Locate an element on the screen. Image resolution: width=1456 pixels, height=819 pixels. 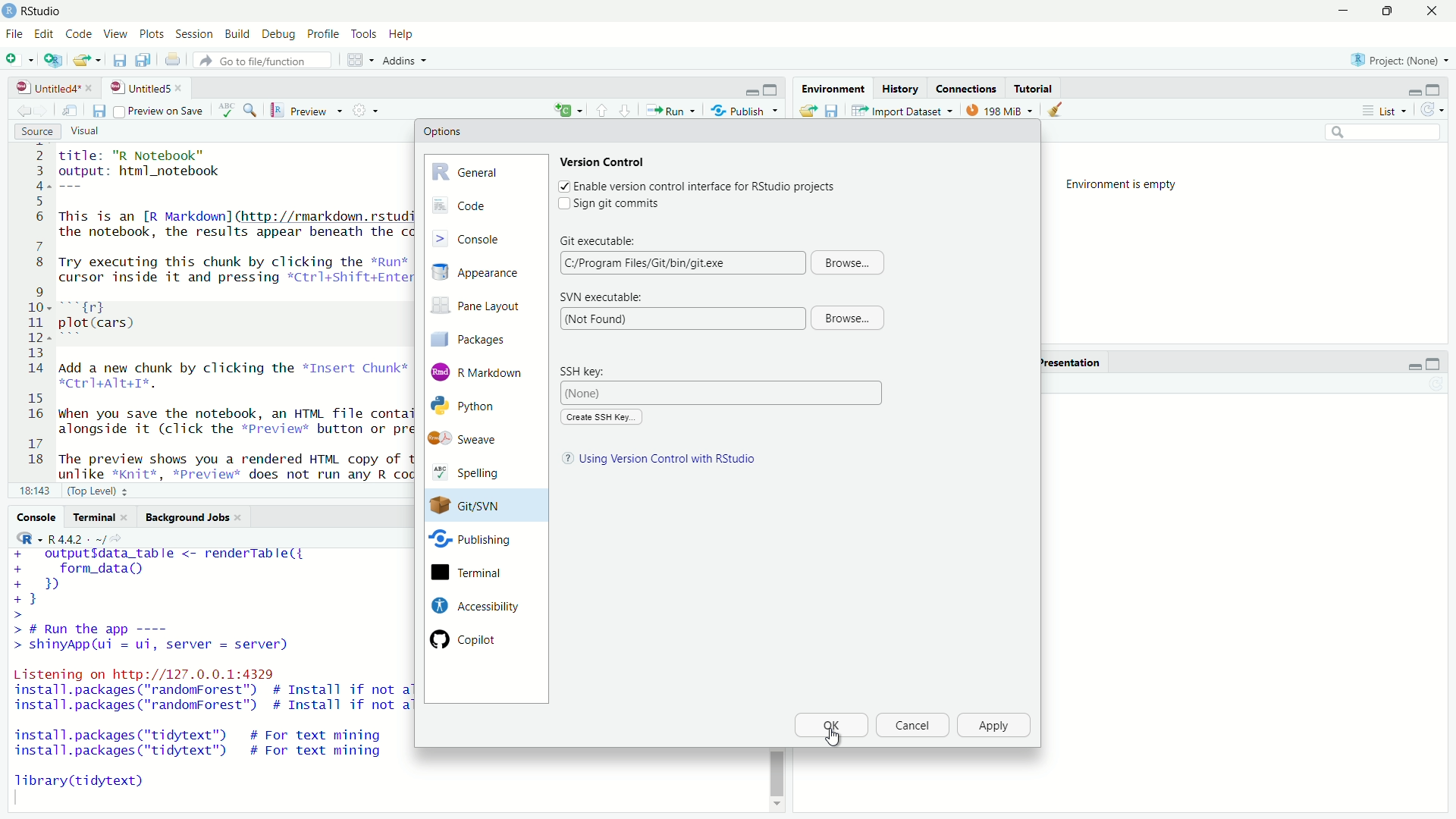
Version Control is located at coordinates (604, 161).